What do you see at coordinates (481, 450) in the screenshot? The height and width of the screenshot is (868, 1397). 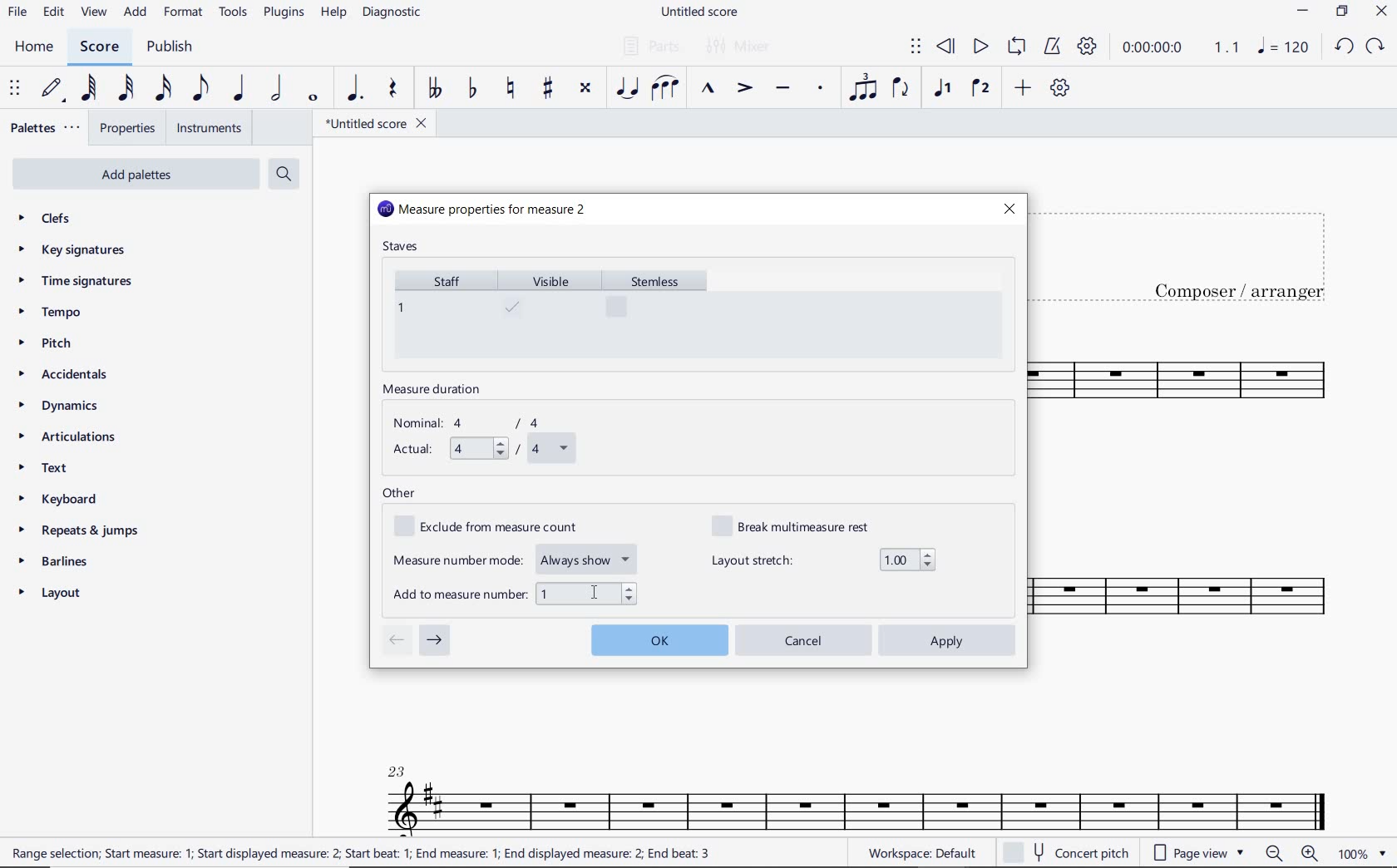 I see `actual` at bounding box center [481, 450].